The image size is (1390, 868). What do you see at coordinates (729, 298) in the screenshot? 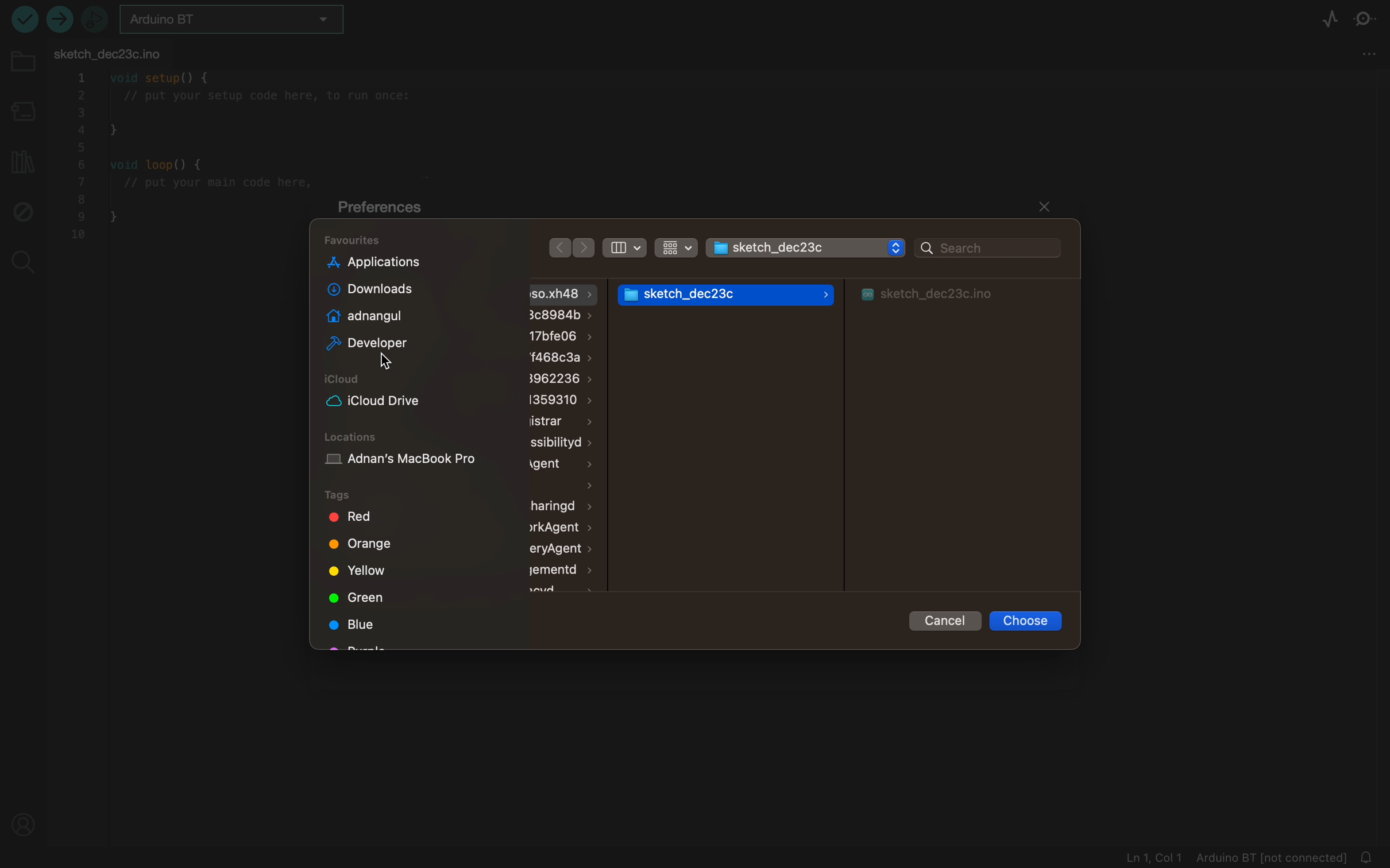
I see `folder` at bounding box center [729, 298].